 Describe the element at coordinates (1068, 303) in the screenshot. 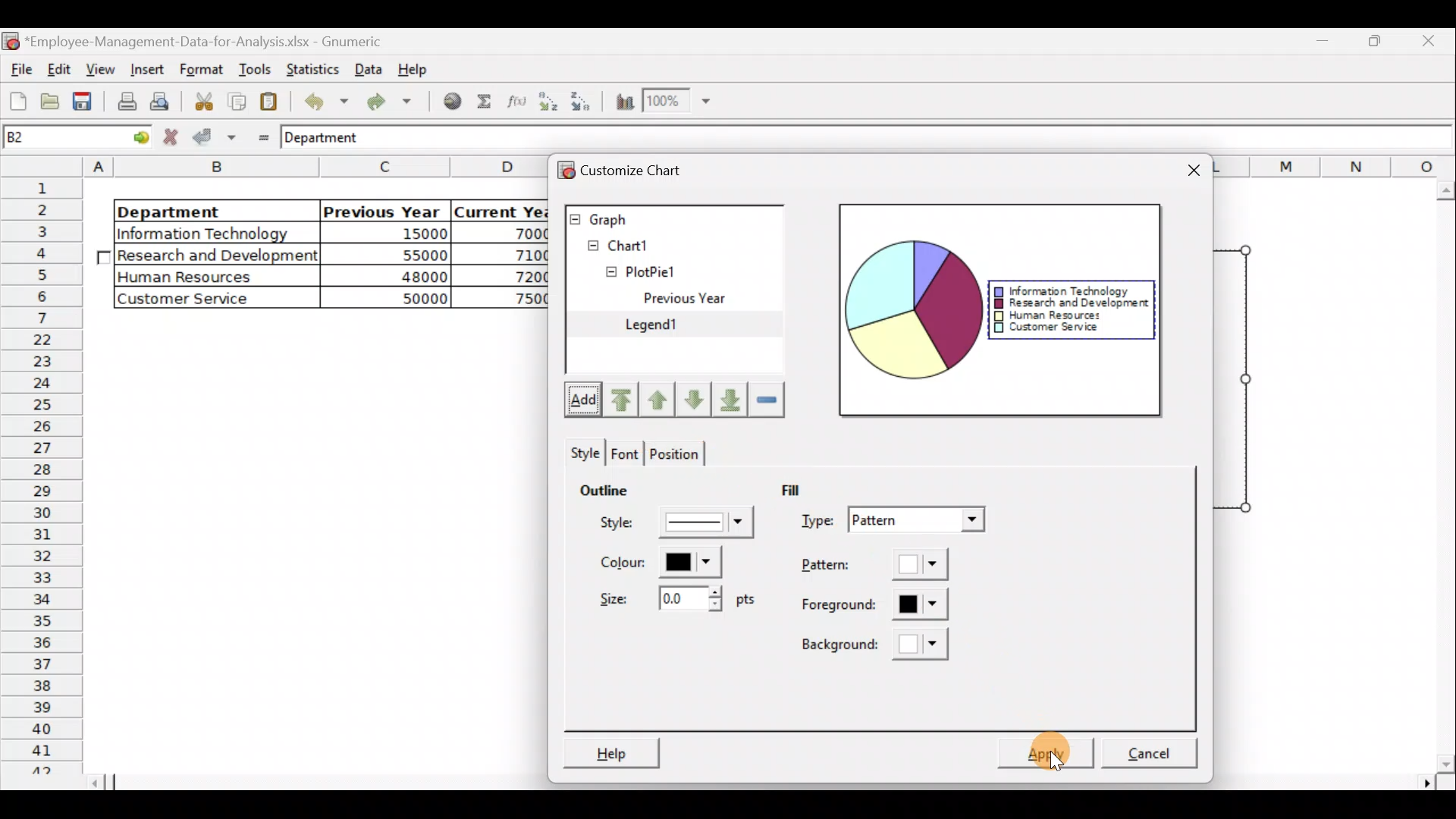

I see ` Research and Development` at that location.